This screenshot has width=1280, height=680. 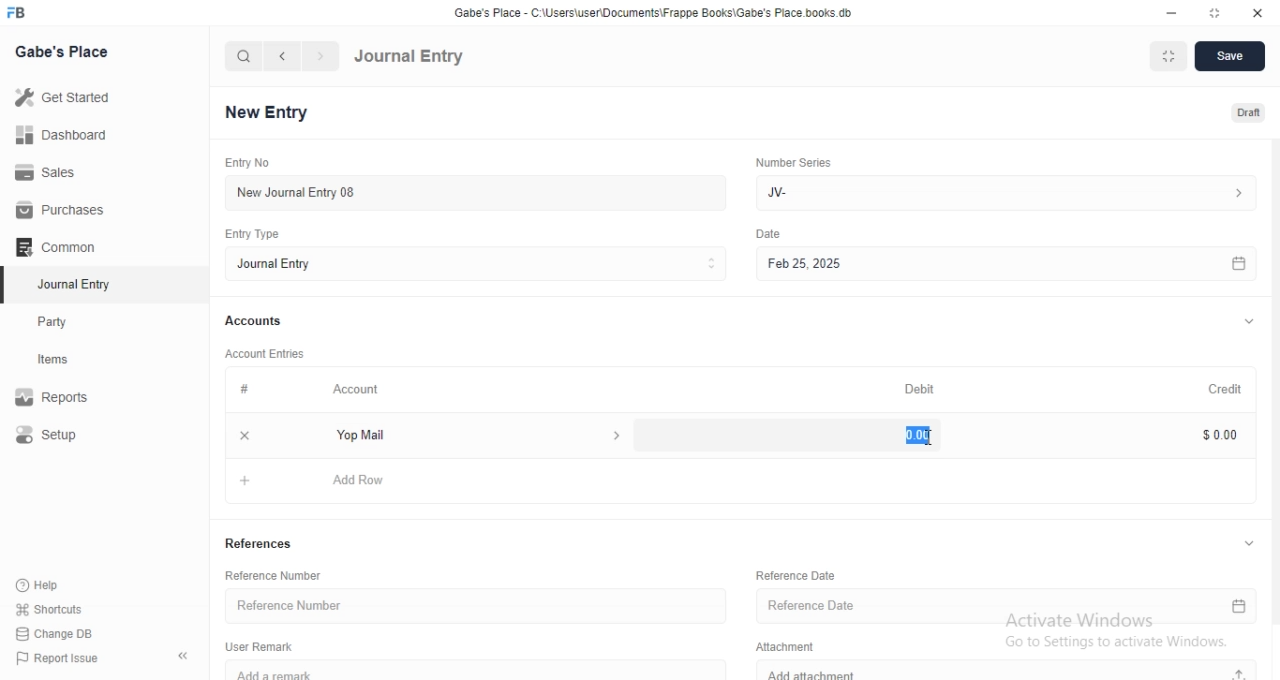 I want to click on Journal Entry, so click(x=71, y=284).